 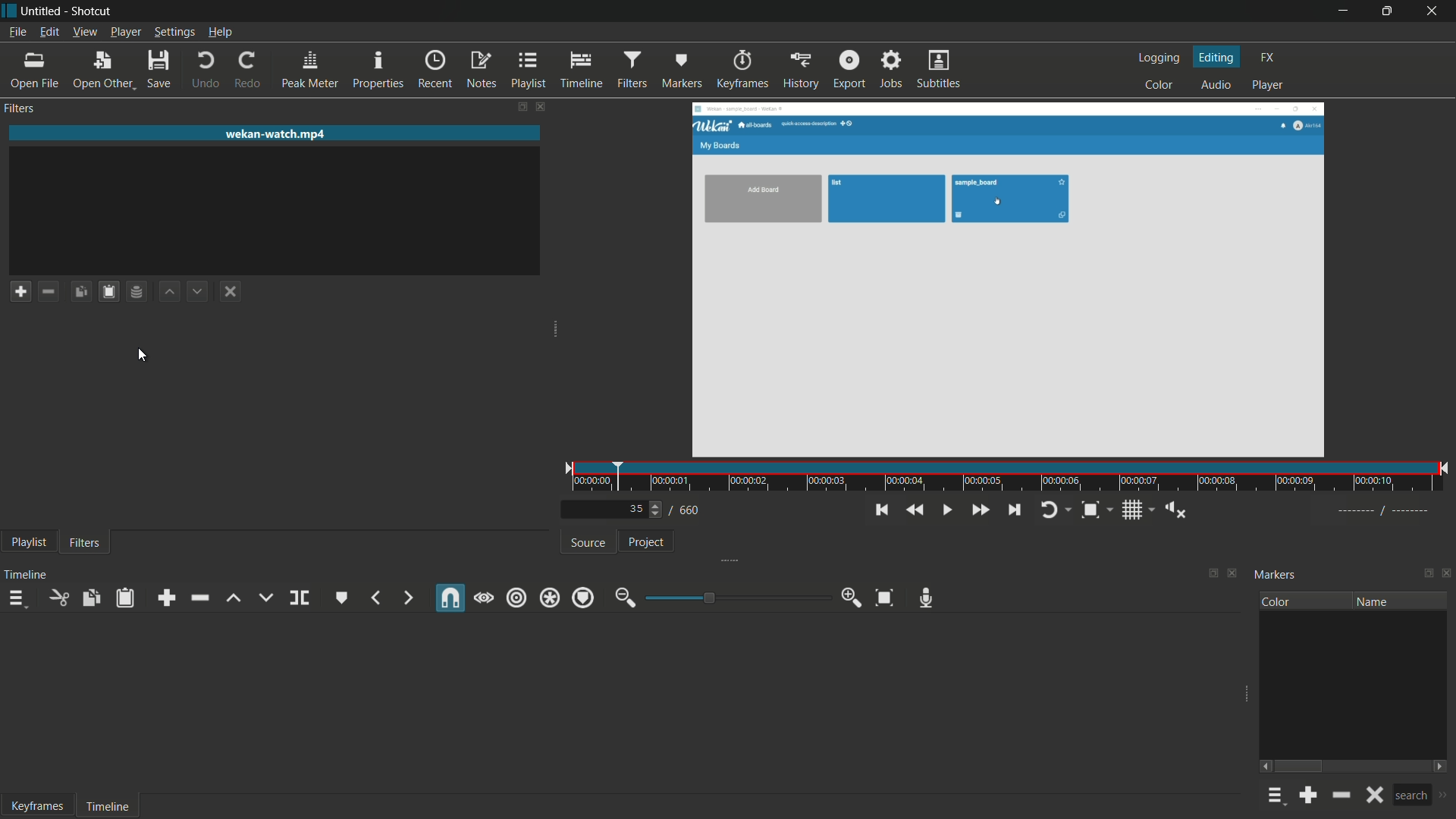 I want to click on deselect a filter, so click(x=229, y=291).